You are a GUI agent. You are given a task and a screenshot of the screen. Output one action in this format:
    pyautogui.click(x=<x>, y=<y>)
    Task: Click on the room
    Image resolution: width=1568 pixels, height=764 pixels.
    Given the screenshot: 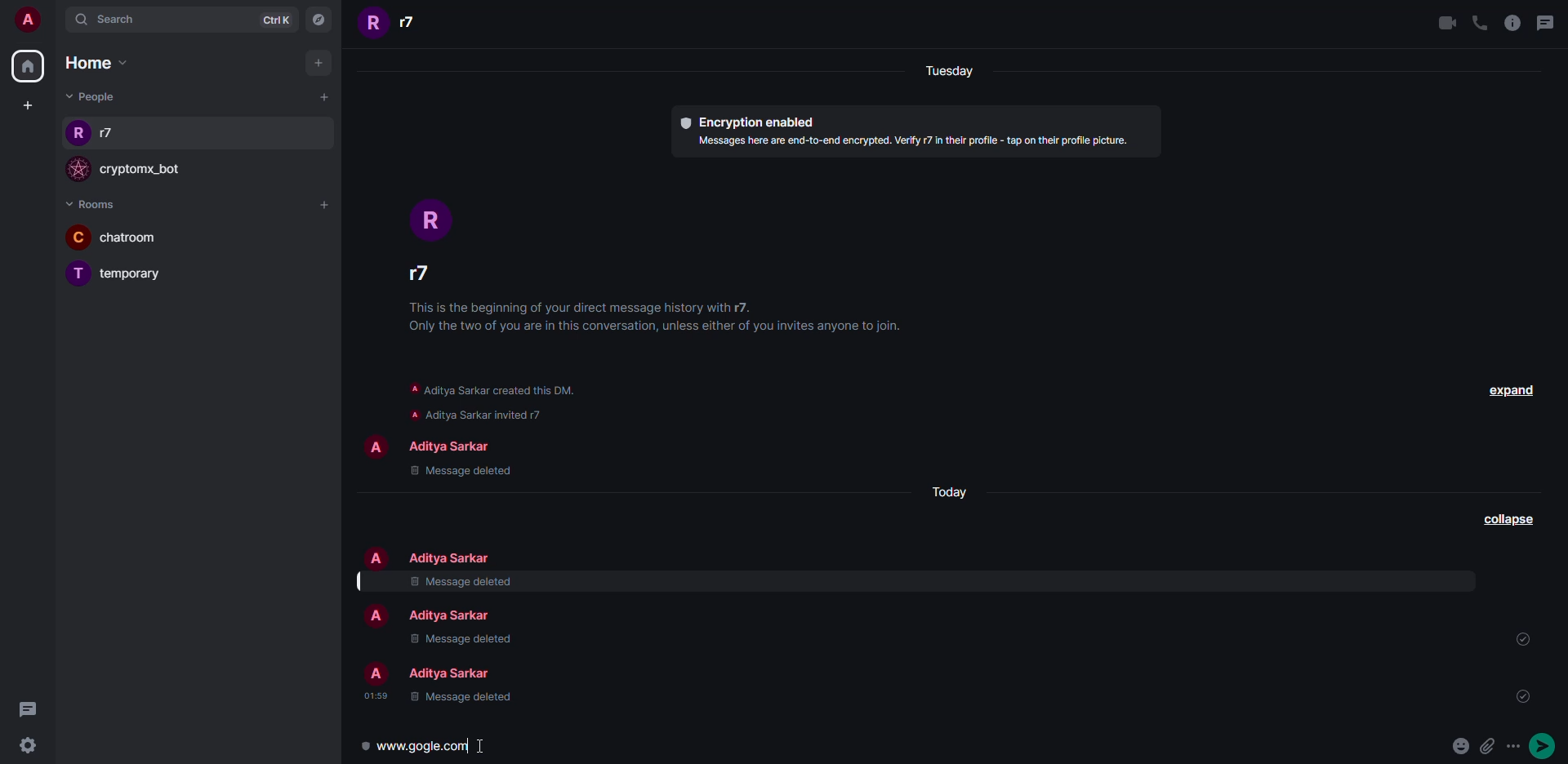 What is the action you would take?
    pyautogui.click(x=140, y=238)
    